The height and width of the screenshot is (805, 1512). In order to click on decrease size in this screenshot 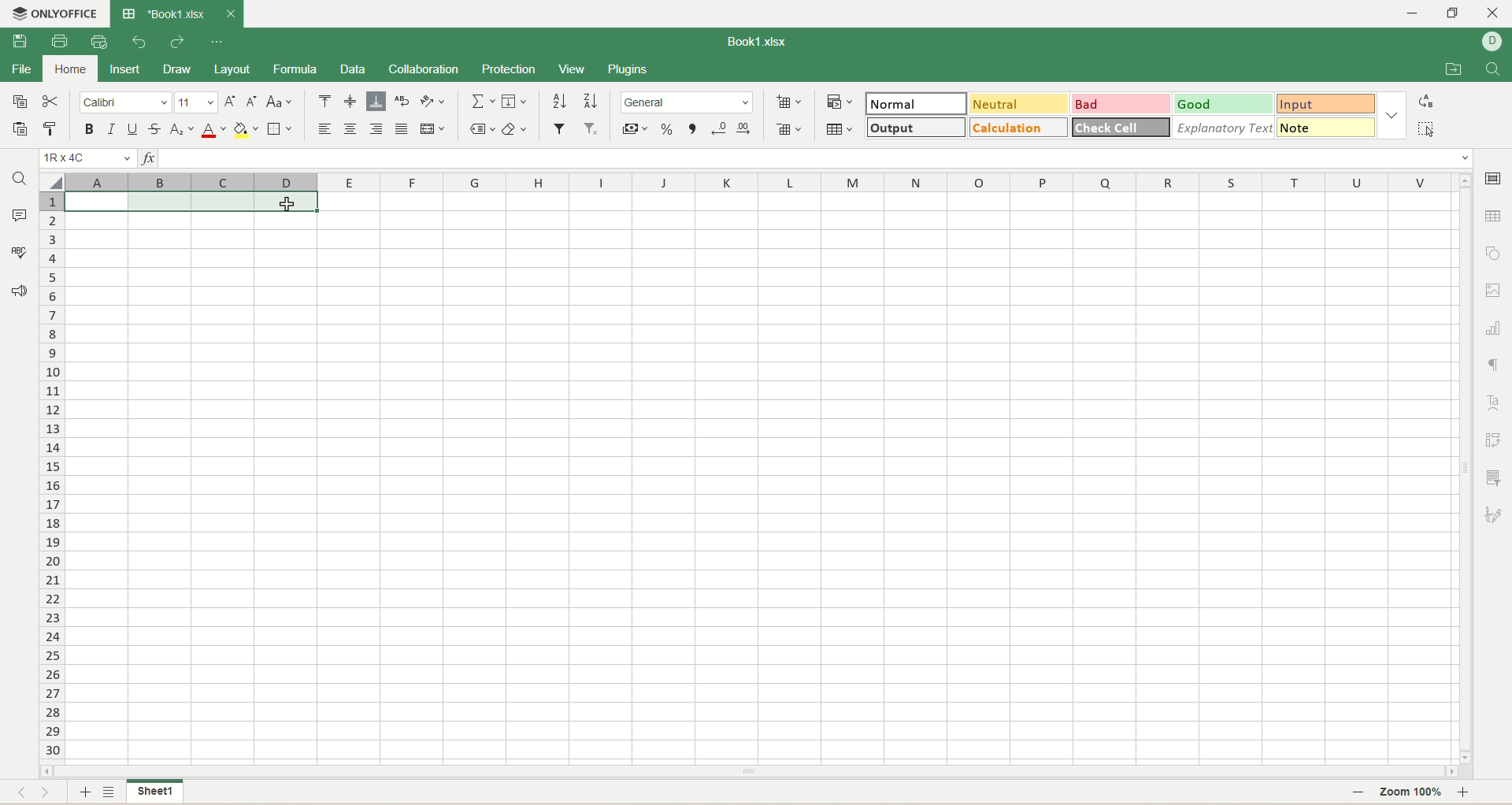, I will do `click(254, 102)`.